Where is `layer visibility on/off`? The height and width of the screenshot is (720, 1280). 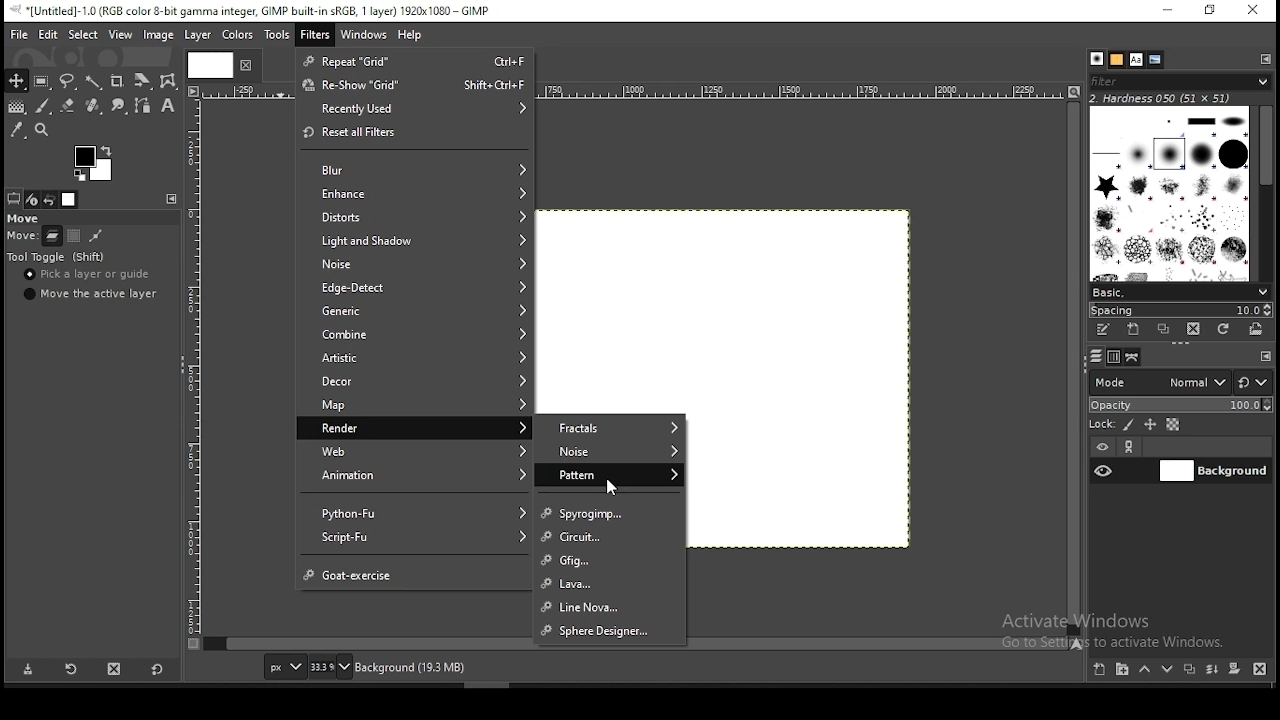
layer visibility on/off is located at coordinates (1104, 470).